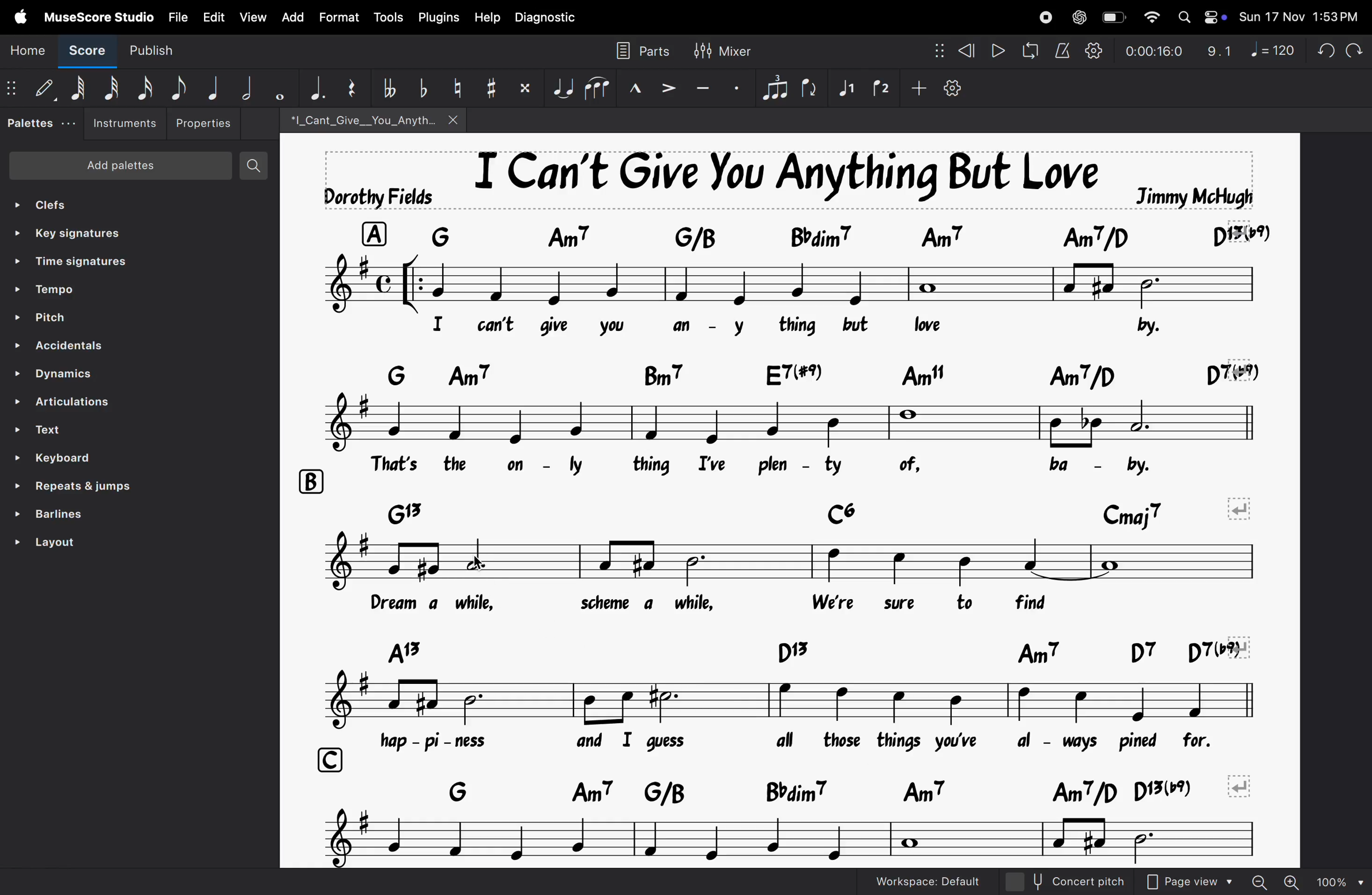  I want to click on row, so click(311, 482).